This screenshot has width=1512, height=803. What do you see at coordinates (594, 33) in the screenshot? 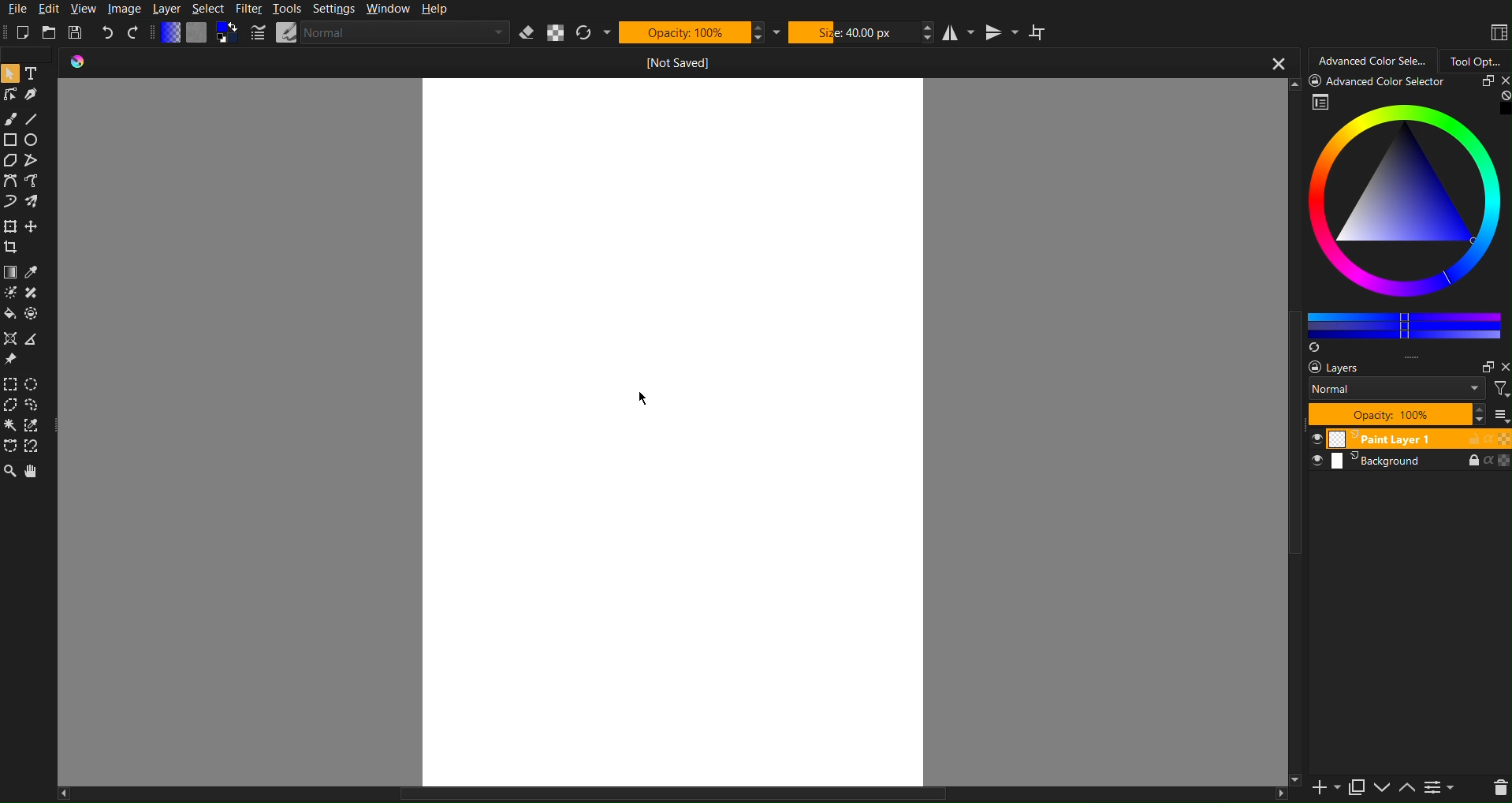
I see `Refresh` at bounding box center [594, 33].